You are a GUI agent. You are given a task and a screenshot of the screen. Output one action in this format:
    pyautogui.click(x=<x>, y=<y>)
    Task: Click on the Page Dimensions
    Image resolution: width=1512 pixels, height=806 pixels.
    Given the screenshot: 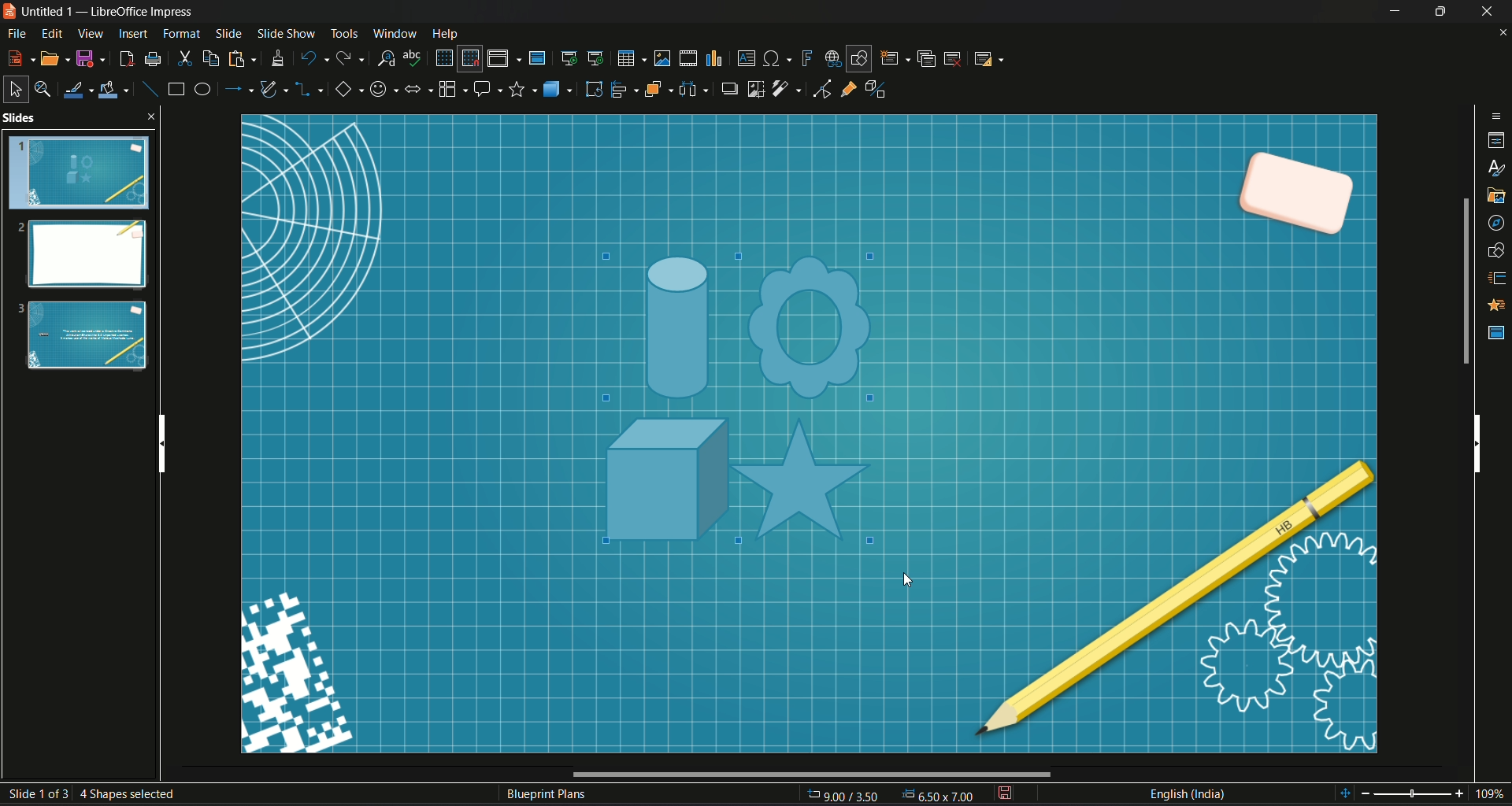 What is the action you would take?
    pyautogui.click(x=892, y=796)
    